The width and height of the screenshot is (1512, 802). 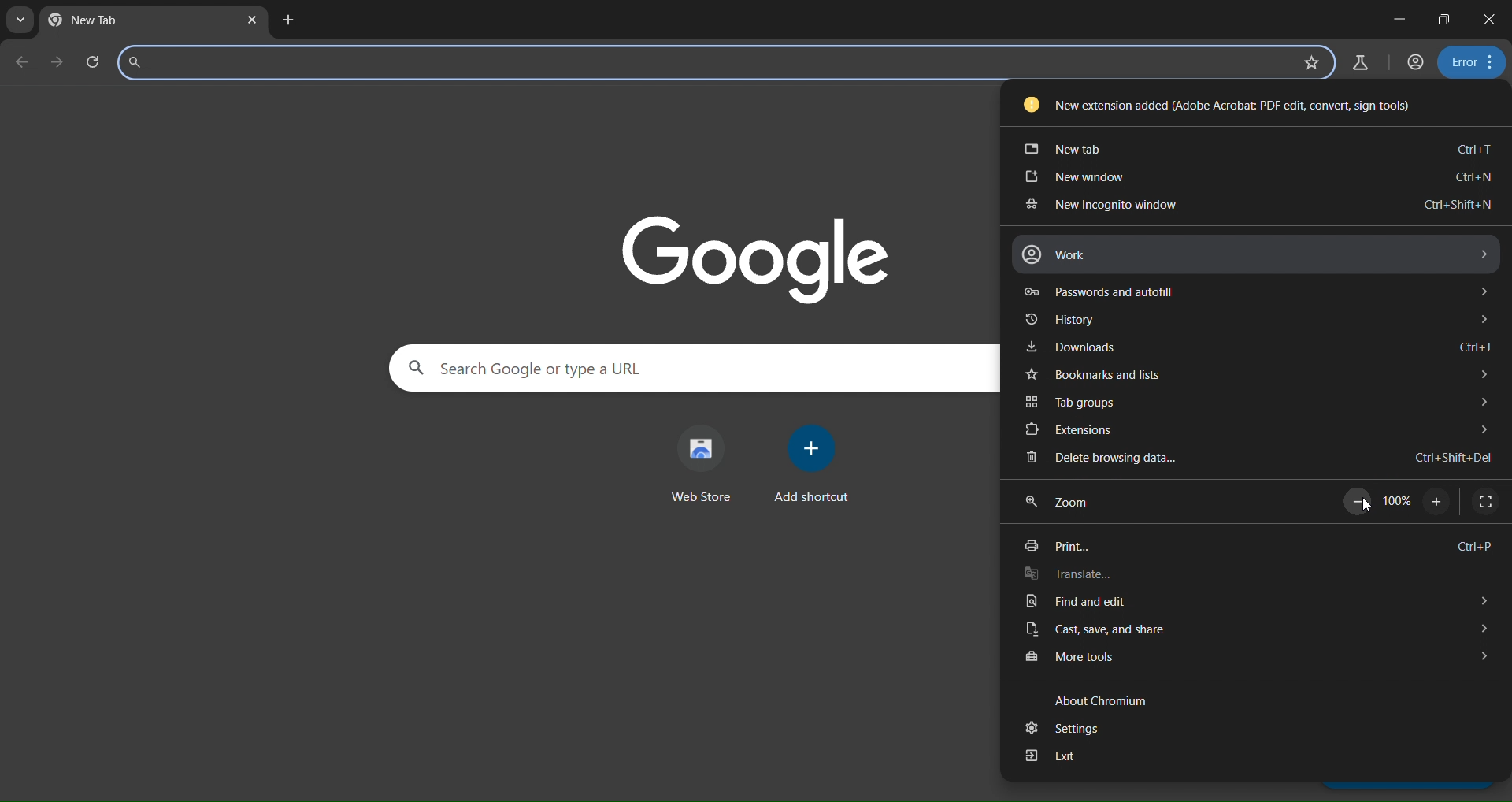 I want to click on history, so click(x=1257, y=319).